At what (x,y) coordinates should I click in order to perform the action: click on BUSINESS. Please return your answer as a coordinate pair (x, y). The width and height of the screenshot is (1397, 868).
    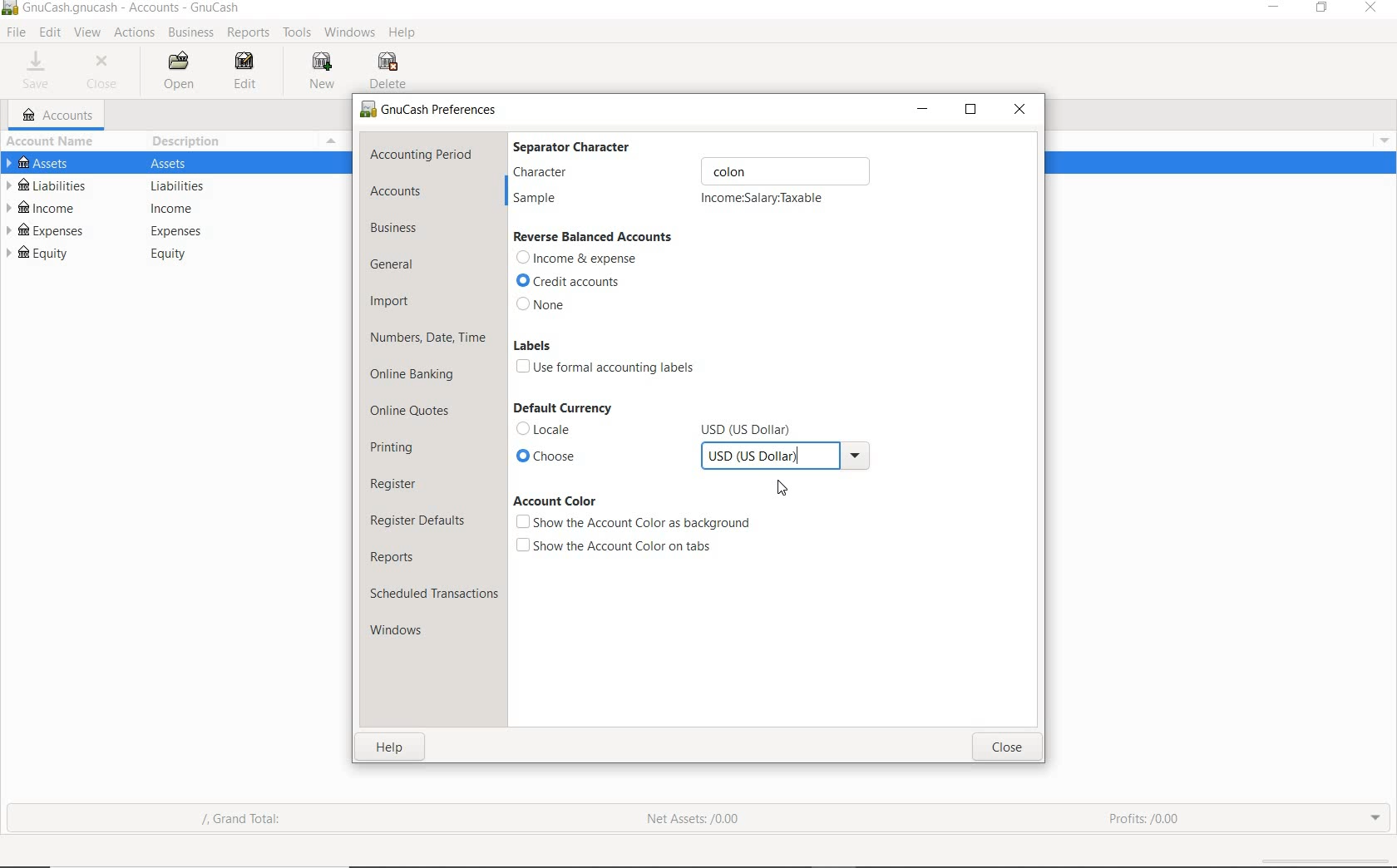
    Looking at the image, I should click on (192, 33).